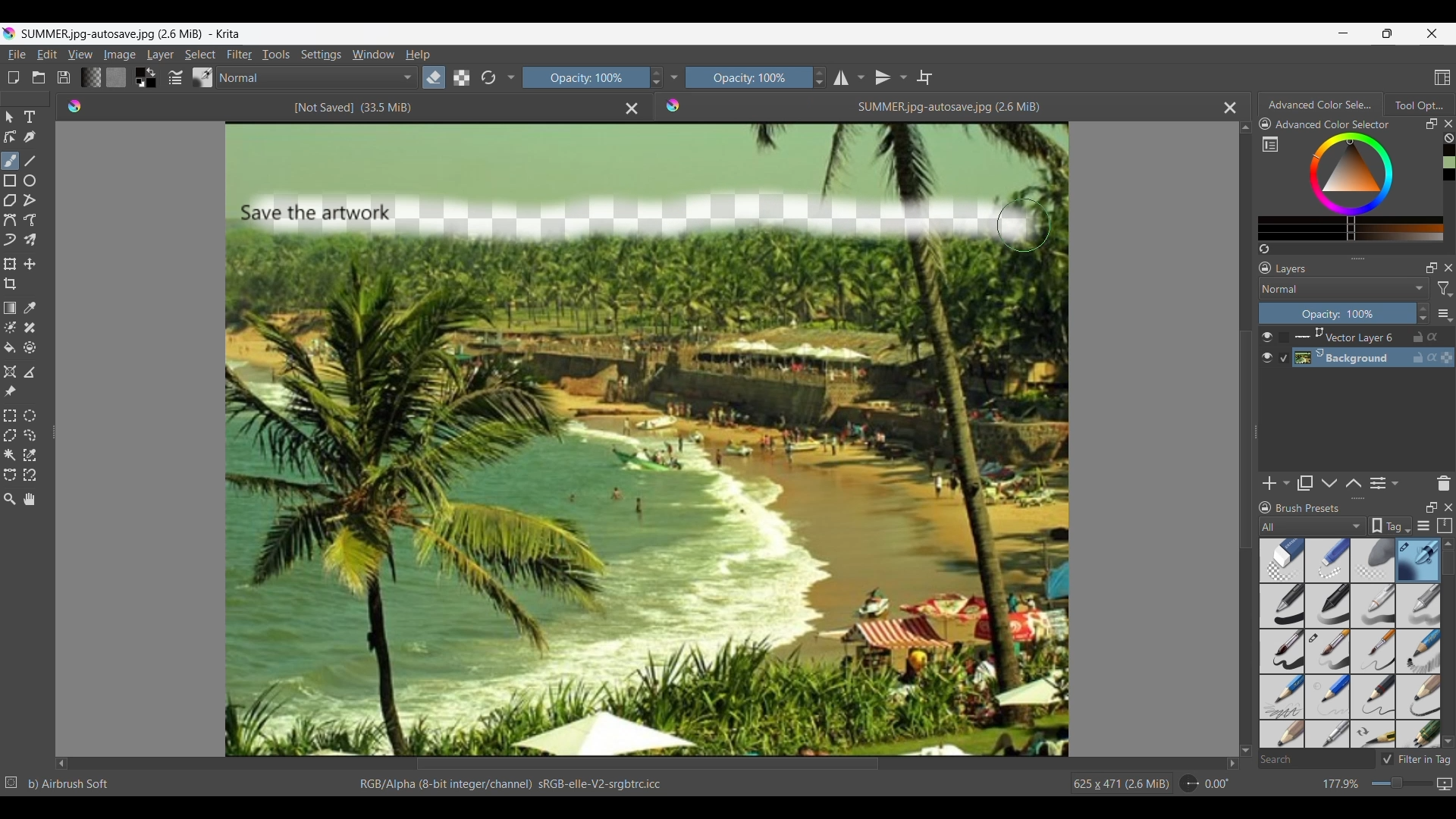  I want to click on Smart patch tool, so click(30, 328).